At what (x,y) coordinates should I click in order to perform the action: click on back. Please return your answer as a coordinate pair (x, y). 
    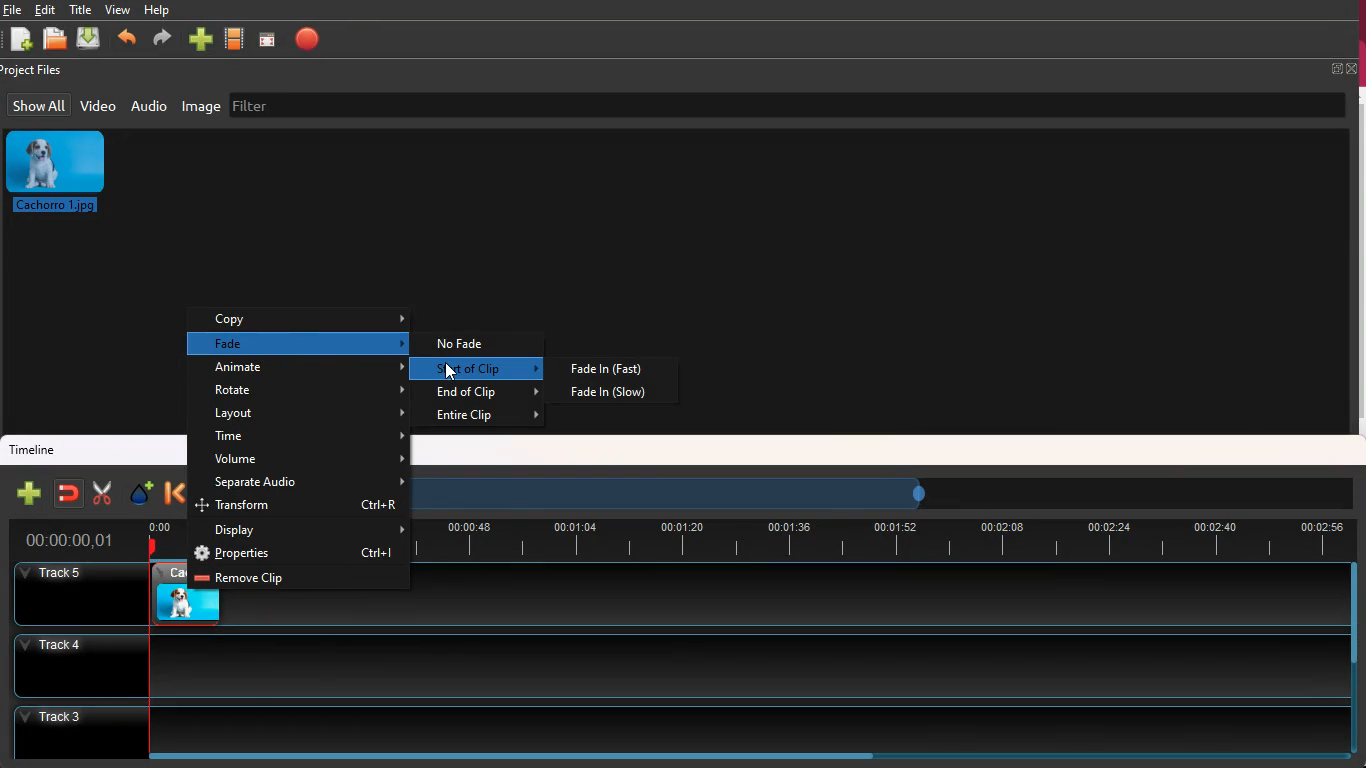
    Looking at the image, I should click on (172, 494).